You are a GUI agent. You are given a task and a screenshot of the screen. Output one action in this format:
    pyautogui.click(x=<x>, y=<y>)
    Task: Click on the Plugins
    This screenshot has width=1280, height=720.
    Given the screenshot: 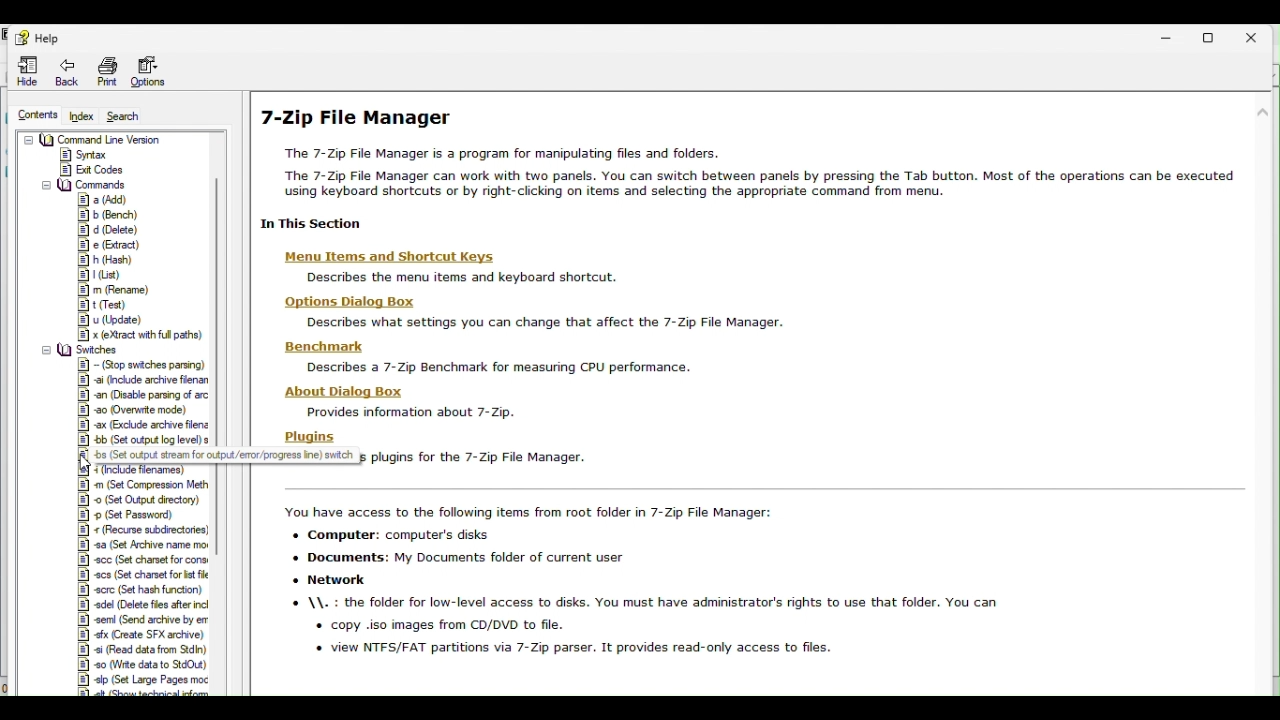 What is the action you would take?
    pyautogui.click(x=312, y=436)
    